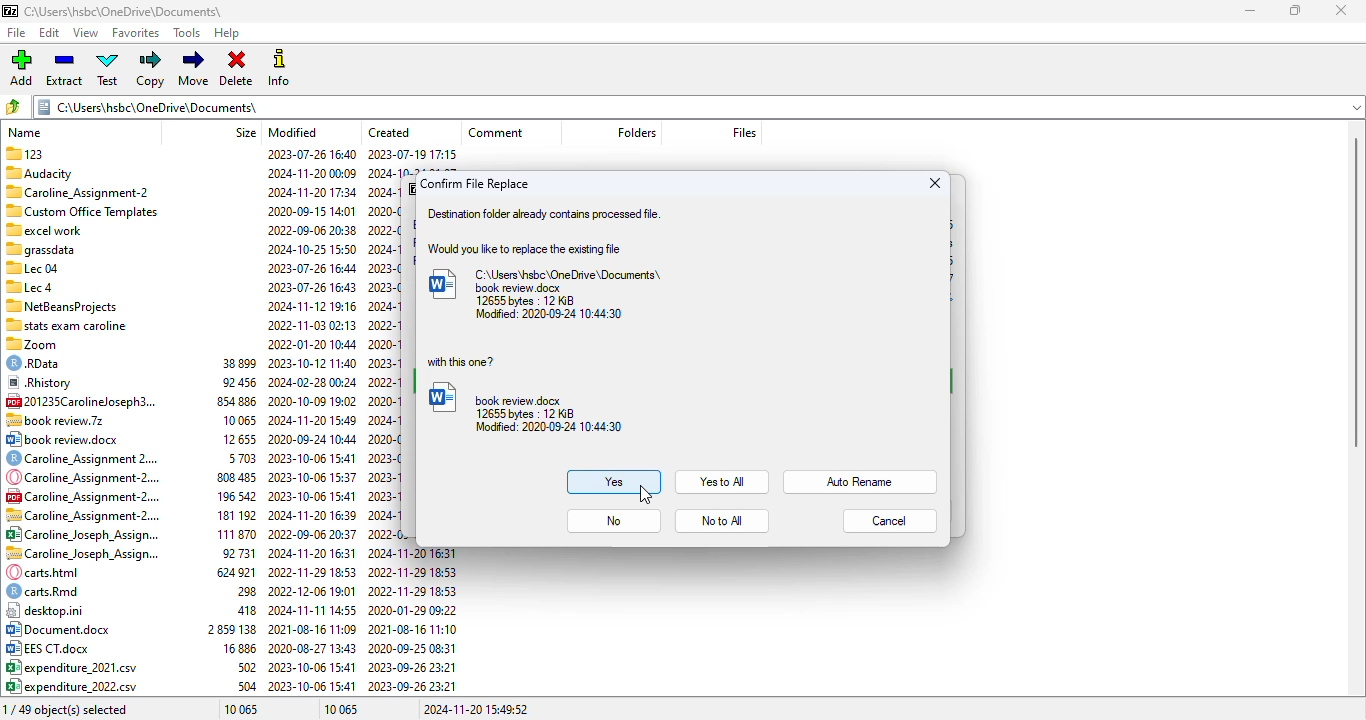  Describe the element at coordinates (1294, 11) in the screenshot. I see `maximize` at that location.